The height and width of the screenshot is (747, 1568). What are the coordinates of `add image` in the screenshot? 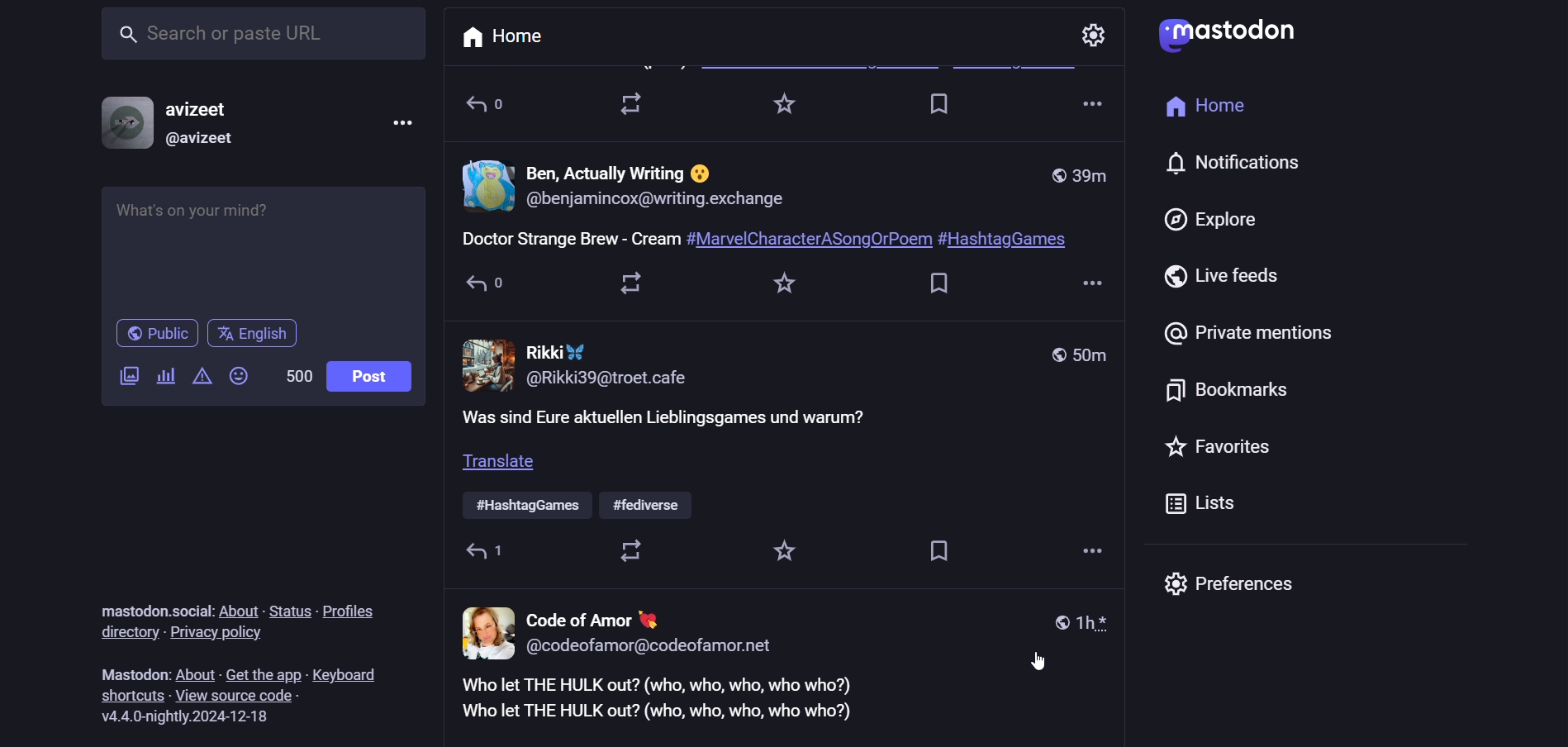 It's located at (126, 378).